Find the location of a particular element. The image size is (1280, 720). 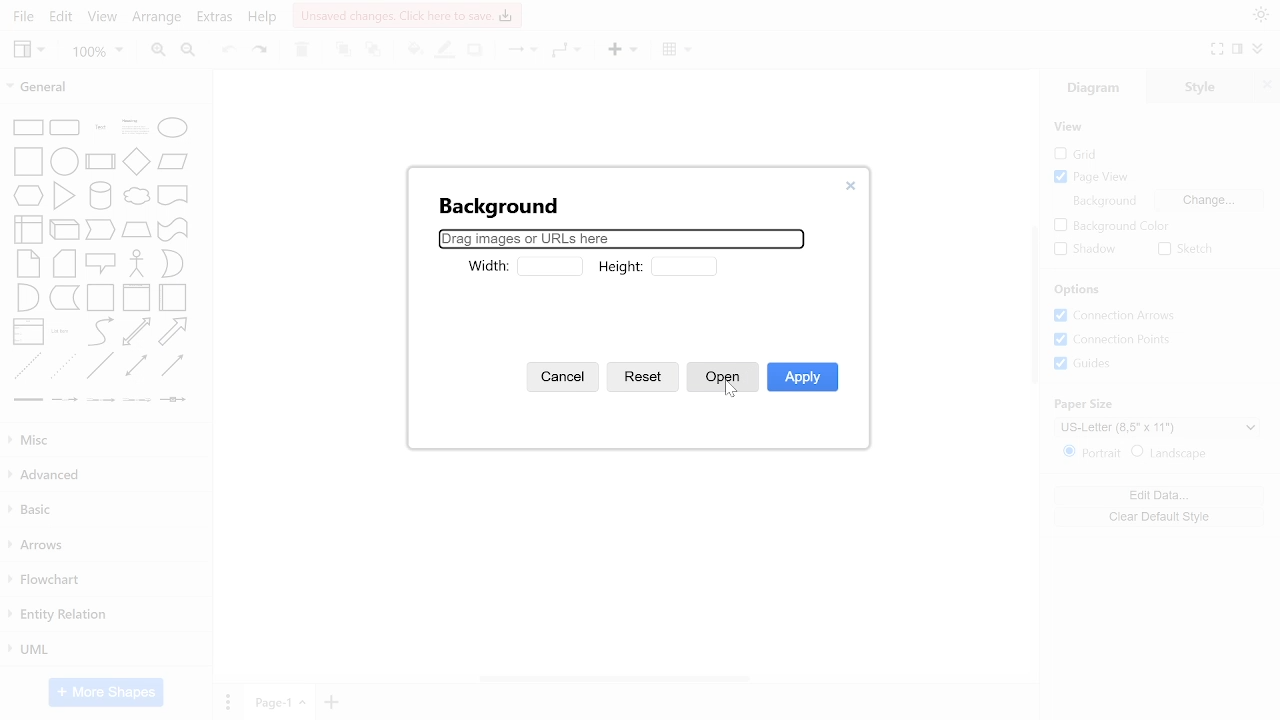

general shapes is located at coordinates (133, 161).